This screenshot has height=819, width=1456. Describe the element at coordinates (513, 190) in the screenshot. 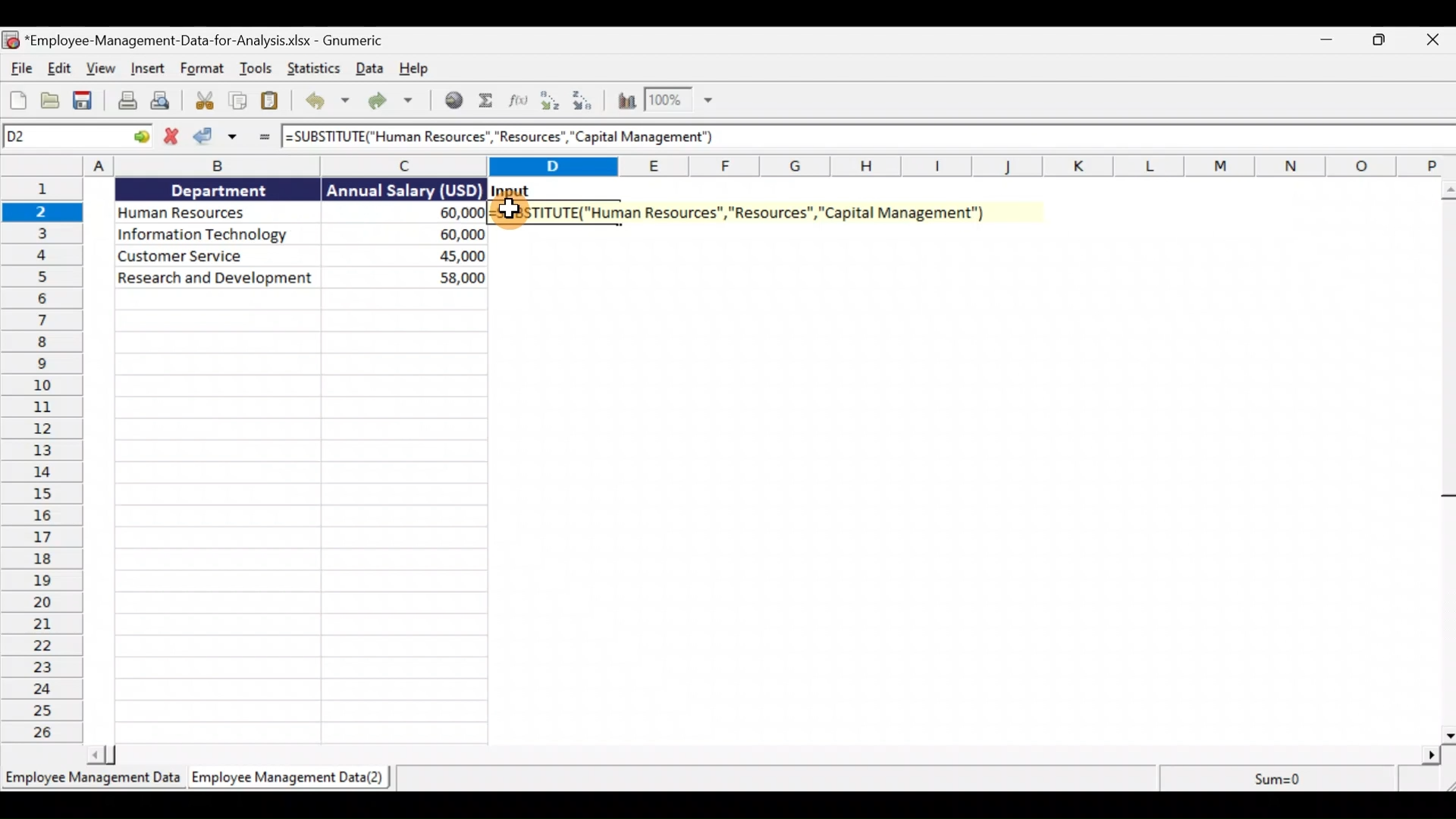

I see `input` at that location.